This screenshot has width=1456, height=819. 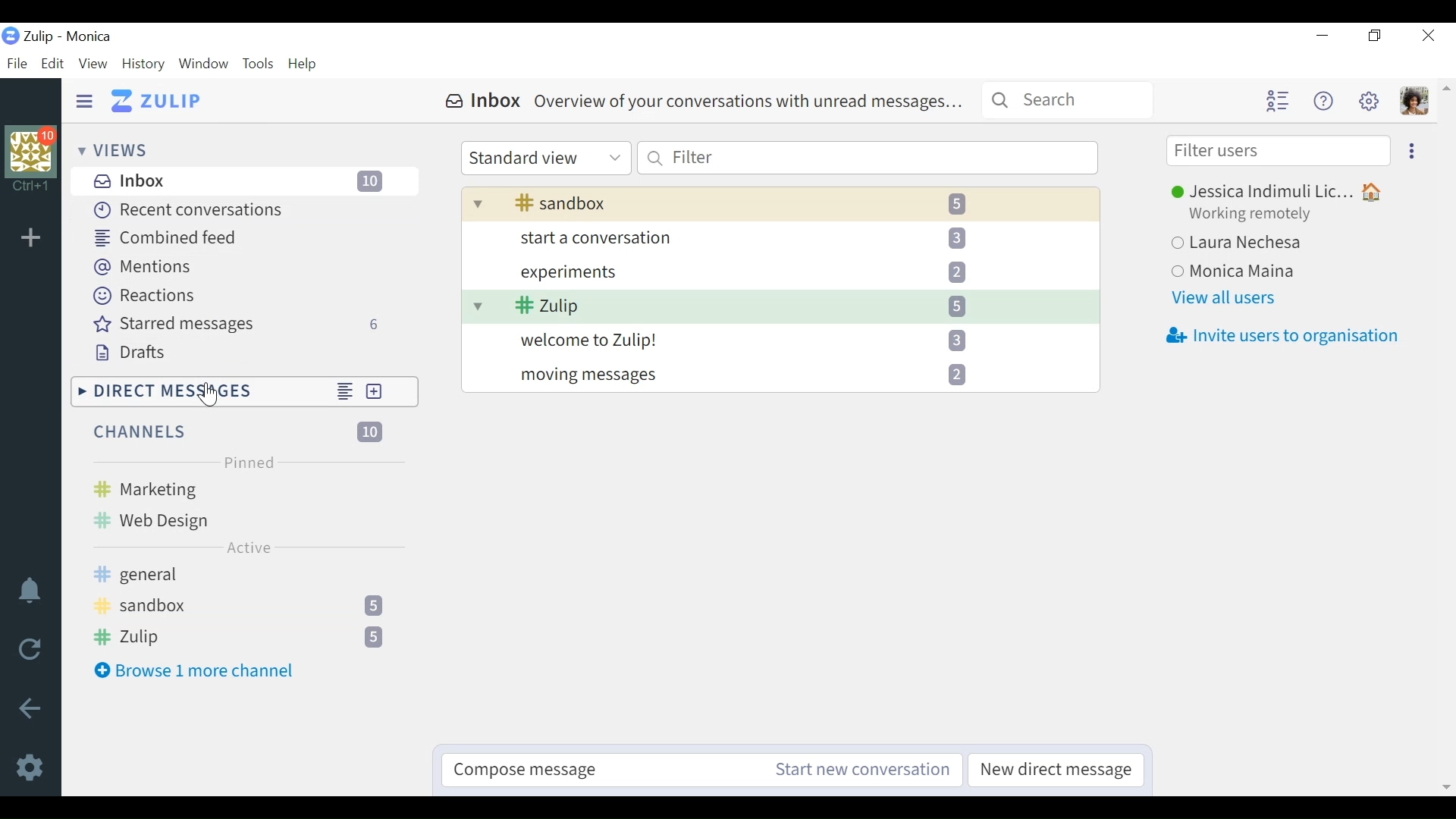 What do you see at coordinates (388, 392) in the screenshot?
I see `New direct message` at bounding box center [388, 392].